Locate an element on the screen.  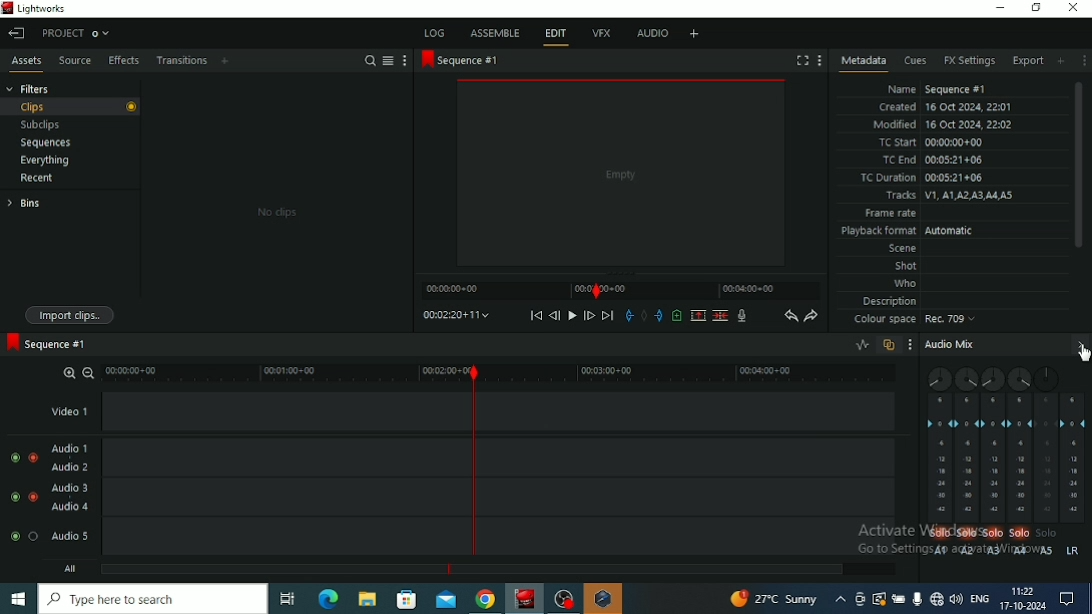
Task View is located at coordinates (288, 599).